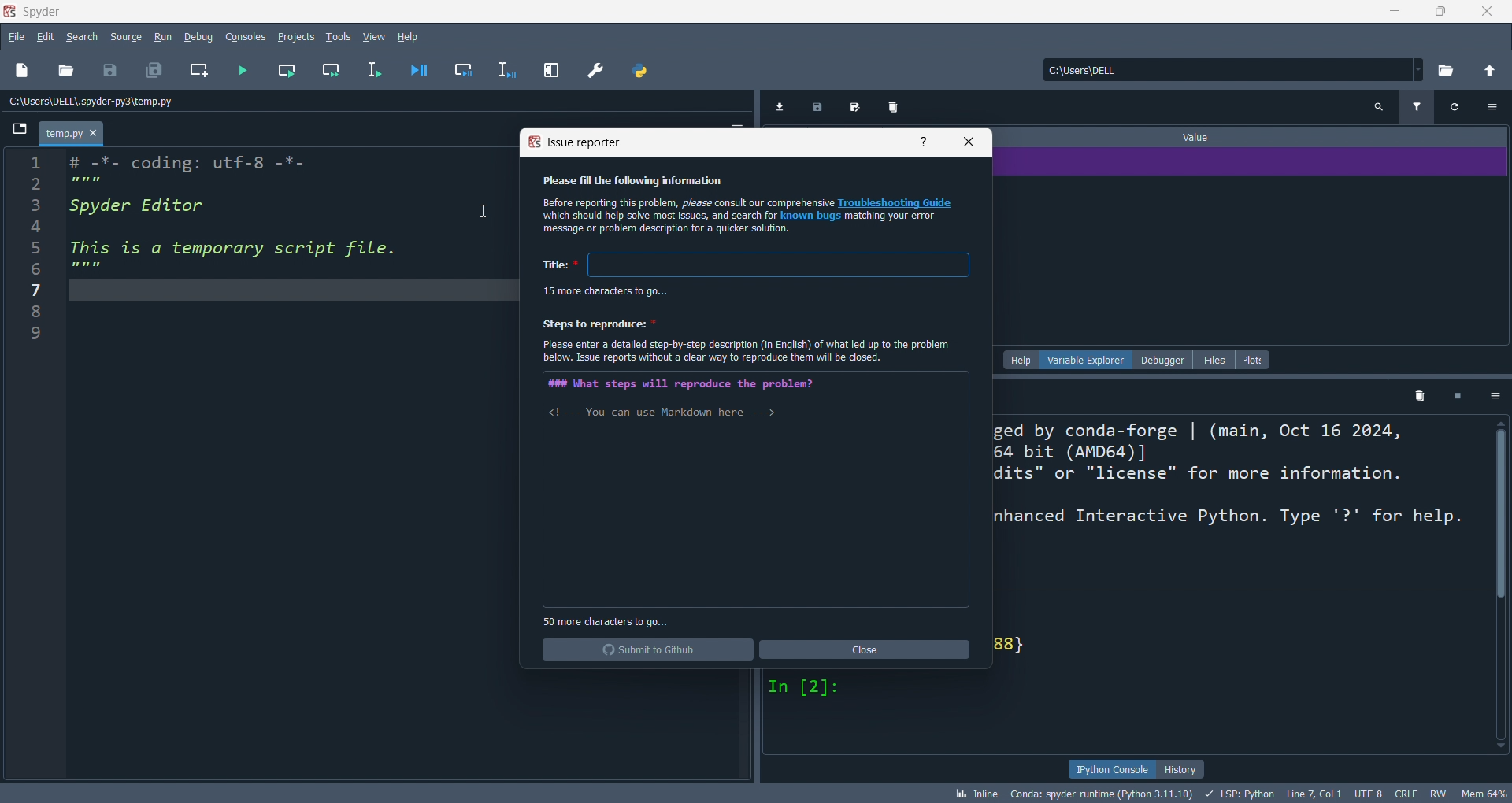  What do you see at coordinates (20, 72) in the screenshot?
I see `new file` at bounding box center [20, 72].